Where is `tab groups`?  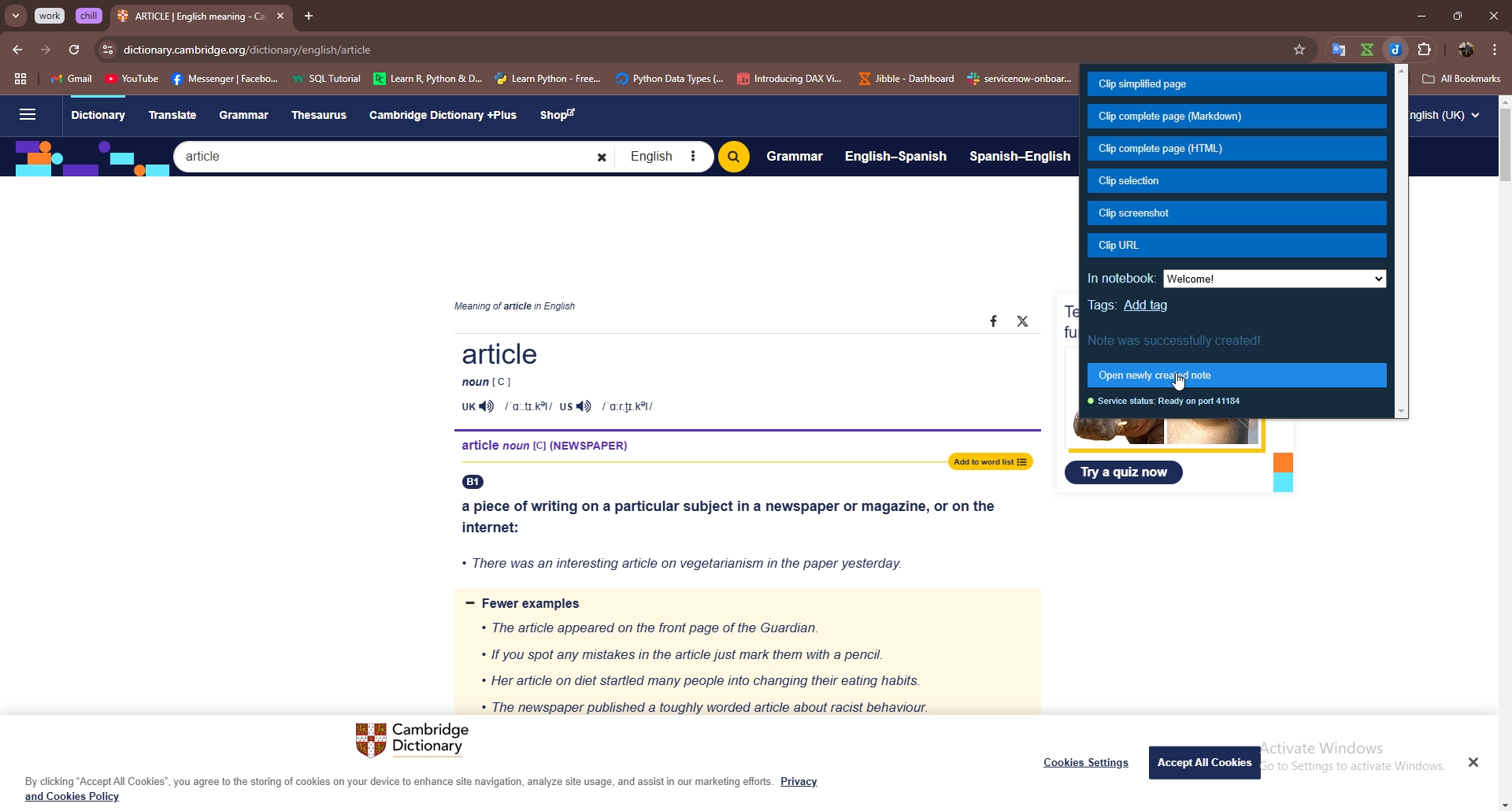
tab groups is located at coordinates (20, 80).